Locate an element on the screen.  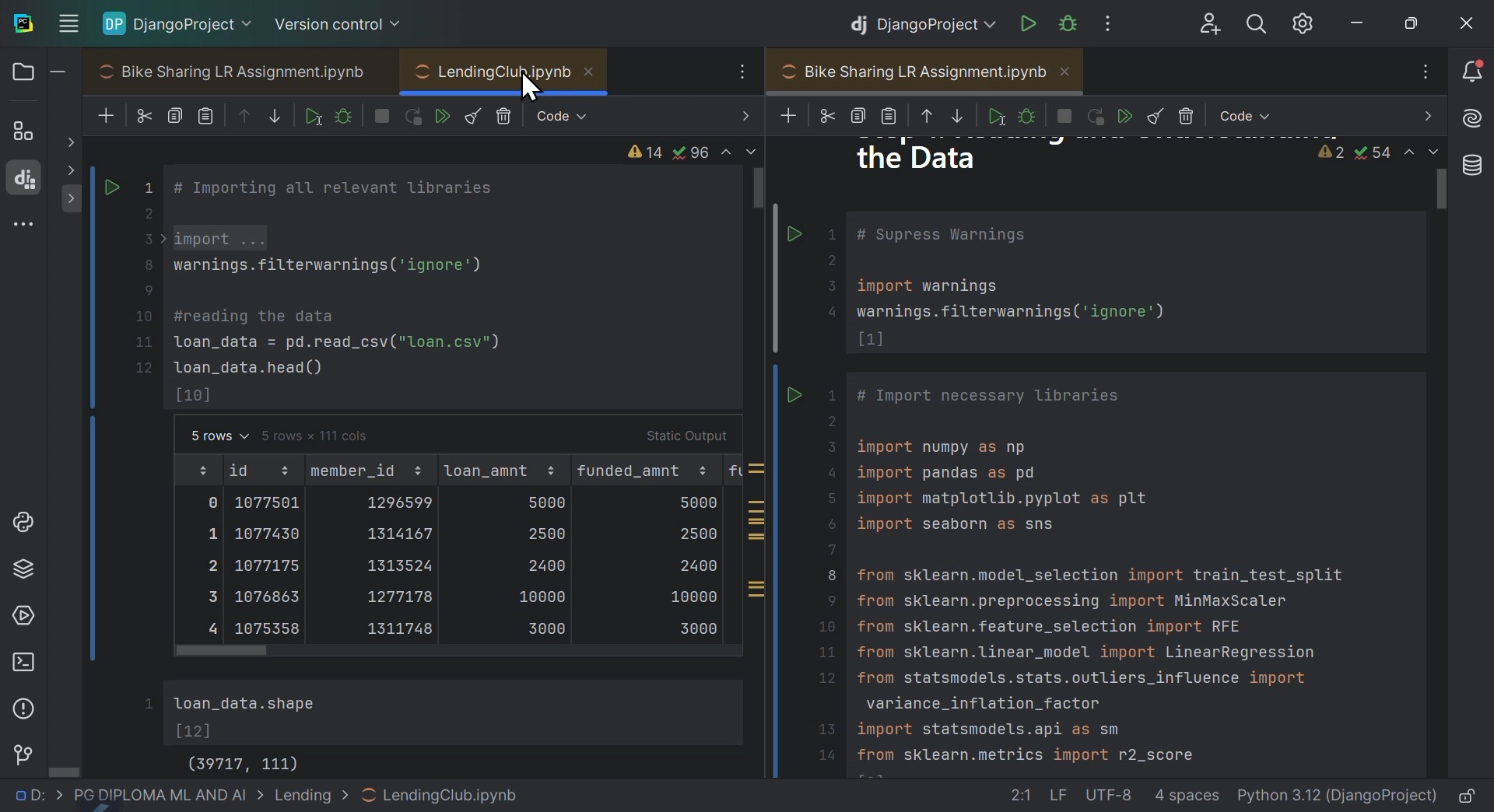
interpreter is located at coordinates (1338, 795).